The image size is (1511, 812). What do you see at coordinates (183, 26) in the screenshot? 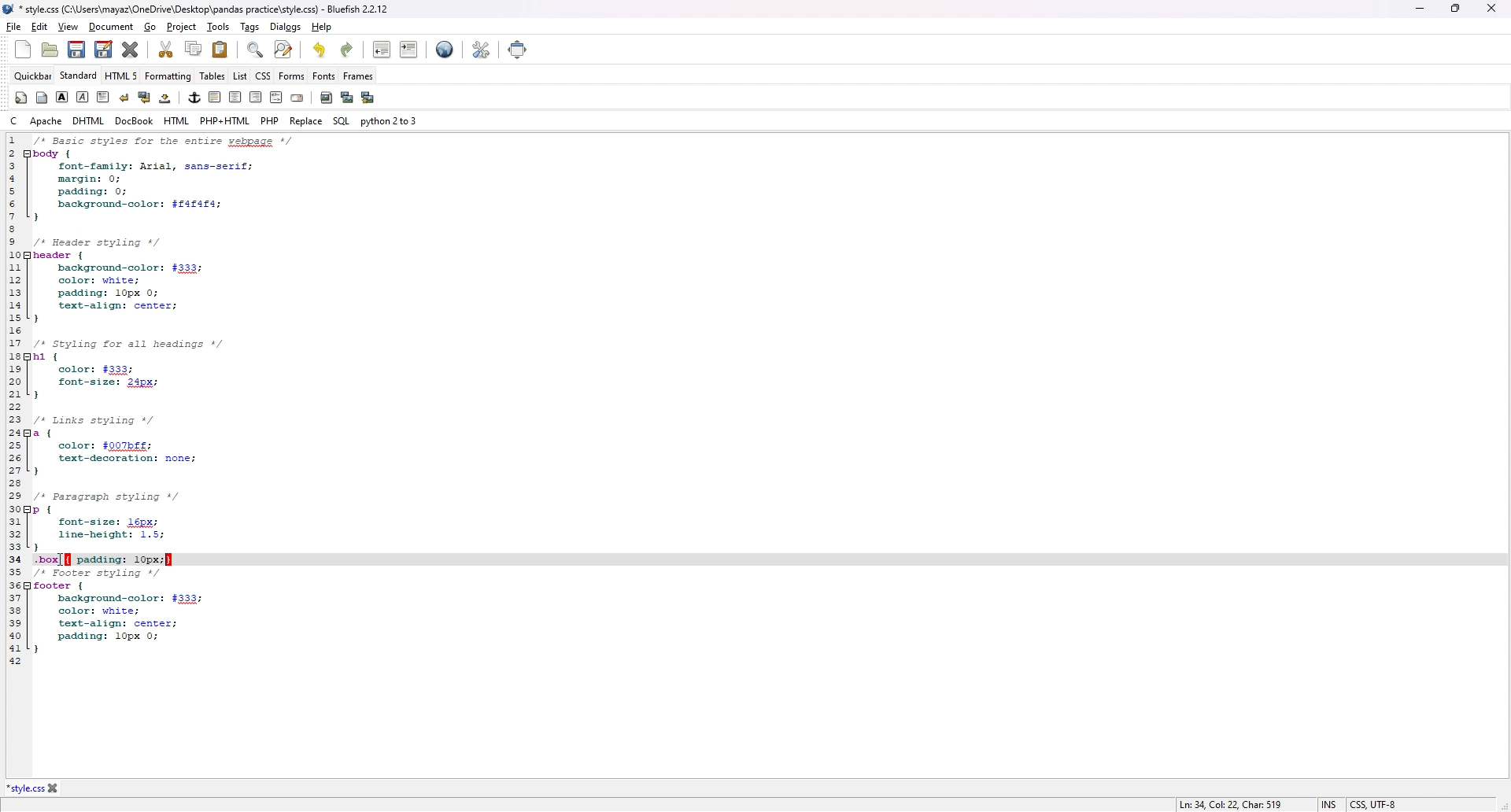
I see `project` at bounding box center [183, 26].